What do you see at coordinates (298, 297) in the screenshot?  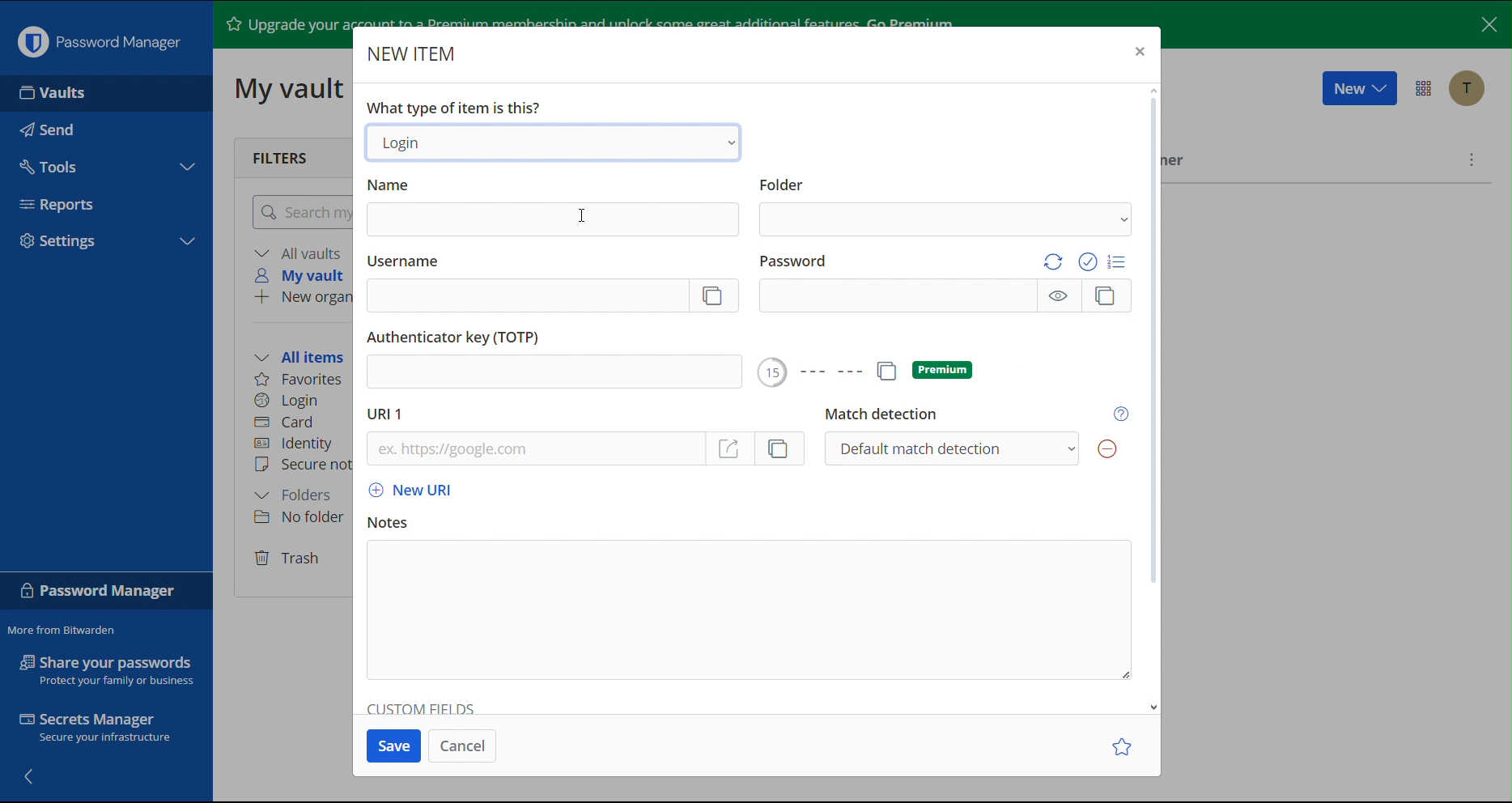 I see `New organization` at bounding box center [298, 297].